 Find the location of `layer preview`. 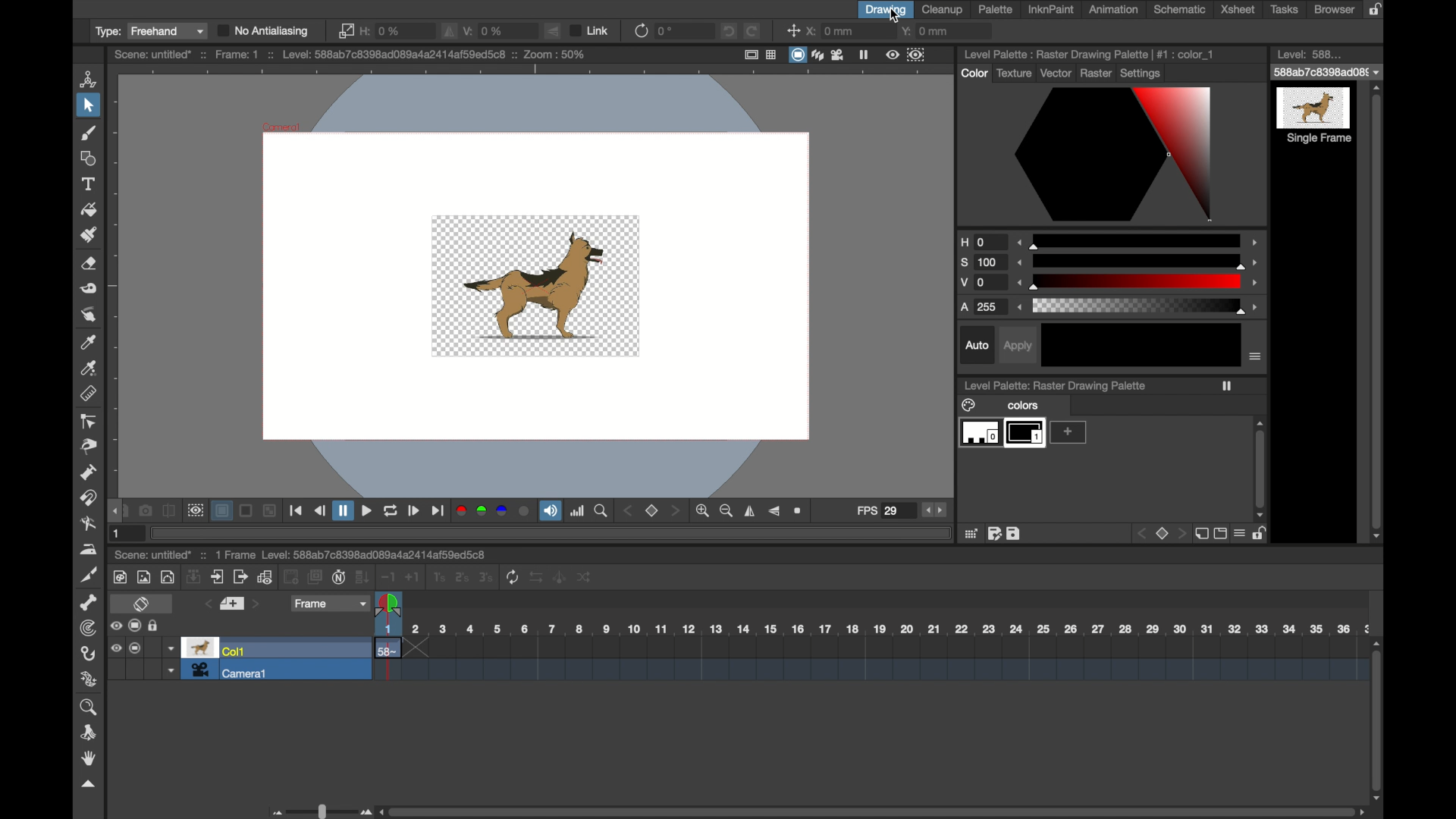

layer preview is located at coordinates (1068, 431).